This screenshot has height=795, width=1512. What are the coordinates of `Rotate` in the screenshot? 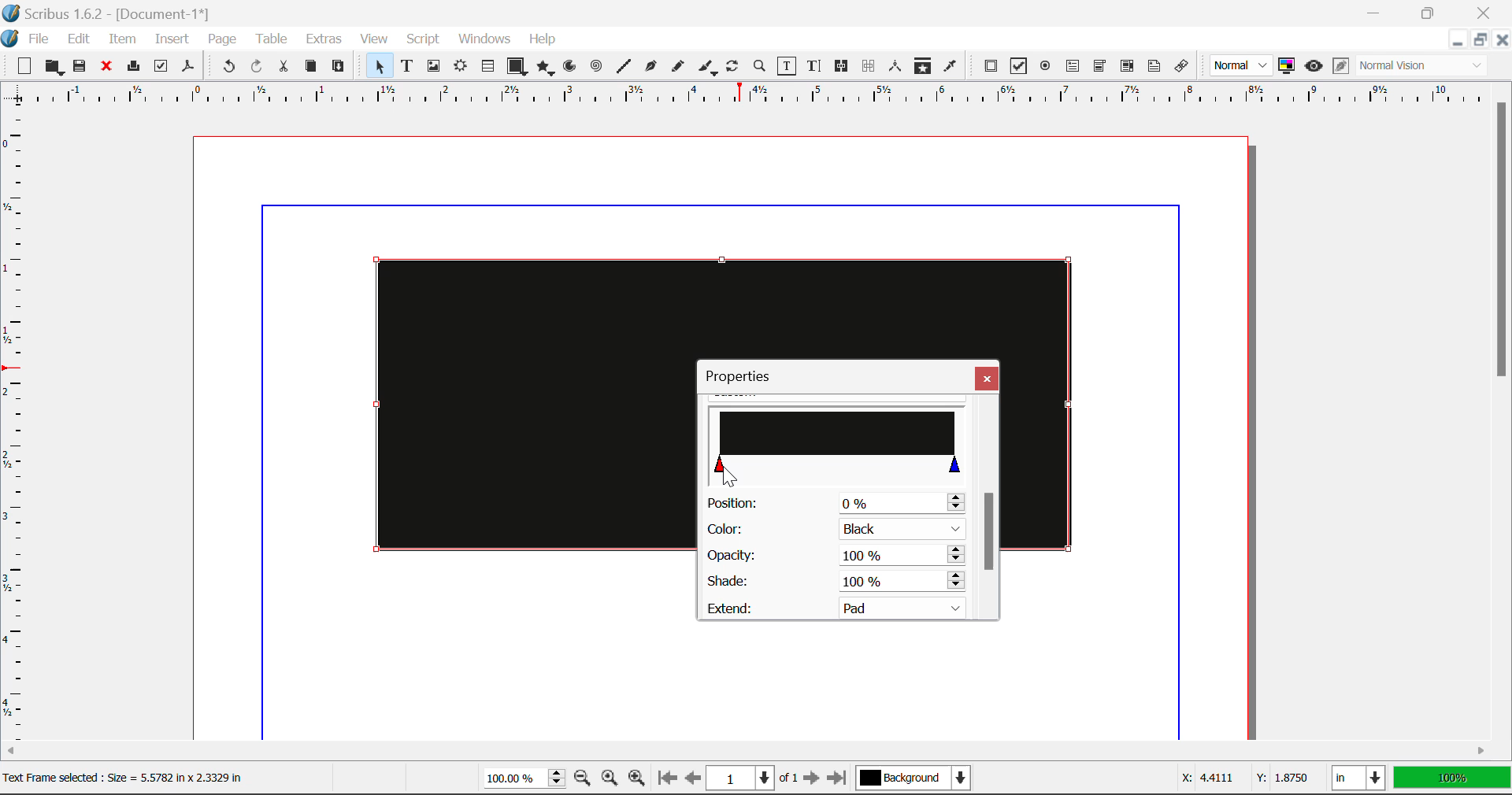 It's located at (733, 66).